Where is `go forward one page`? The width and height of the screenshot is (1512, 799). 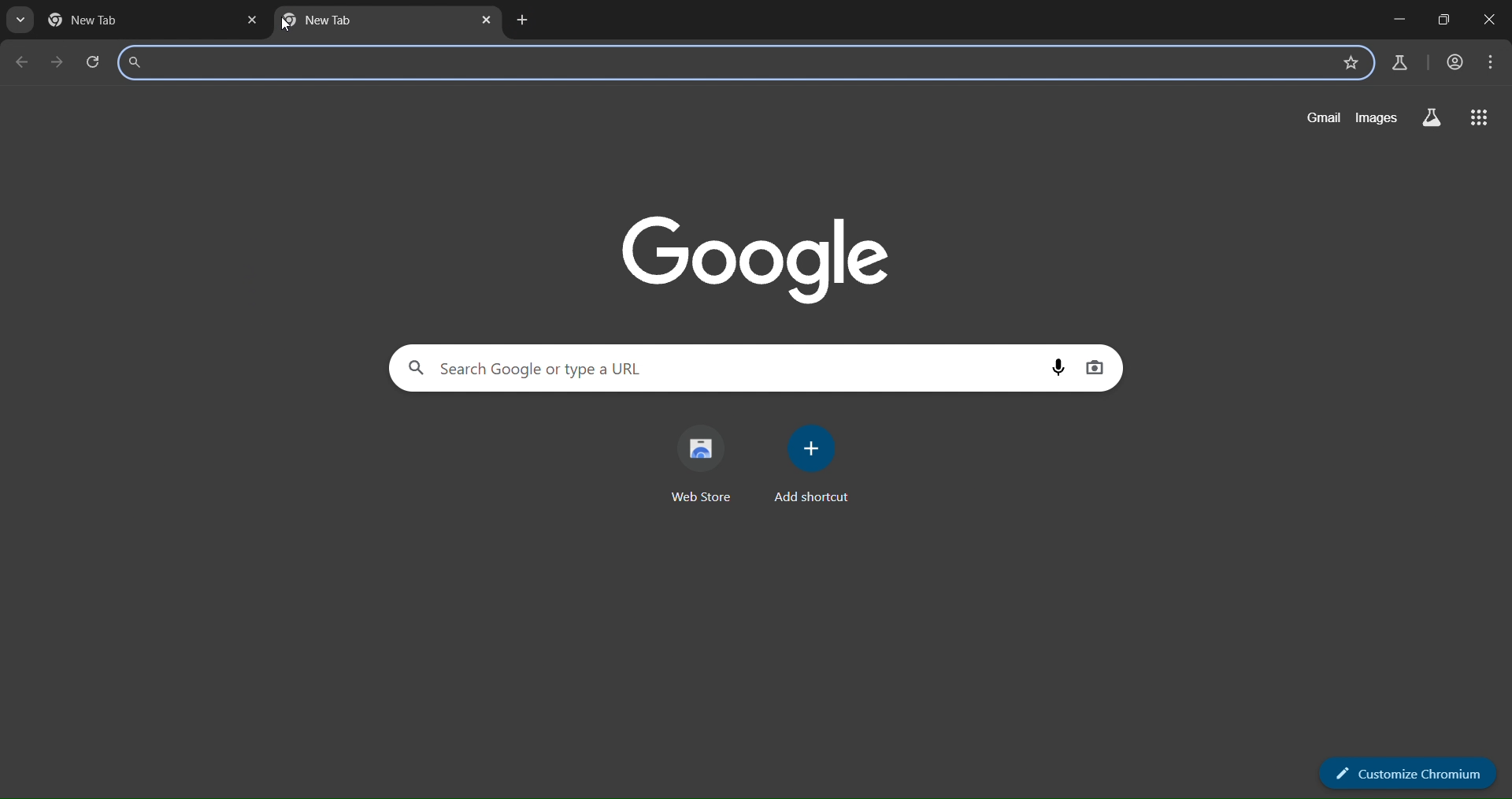
go forward one page is located at coordinates (60, 64).